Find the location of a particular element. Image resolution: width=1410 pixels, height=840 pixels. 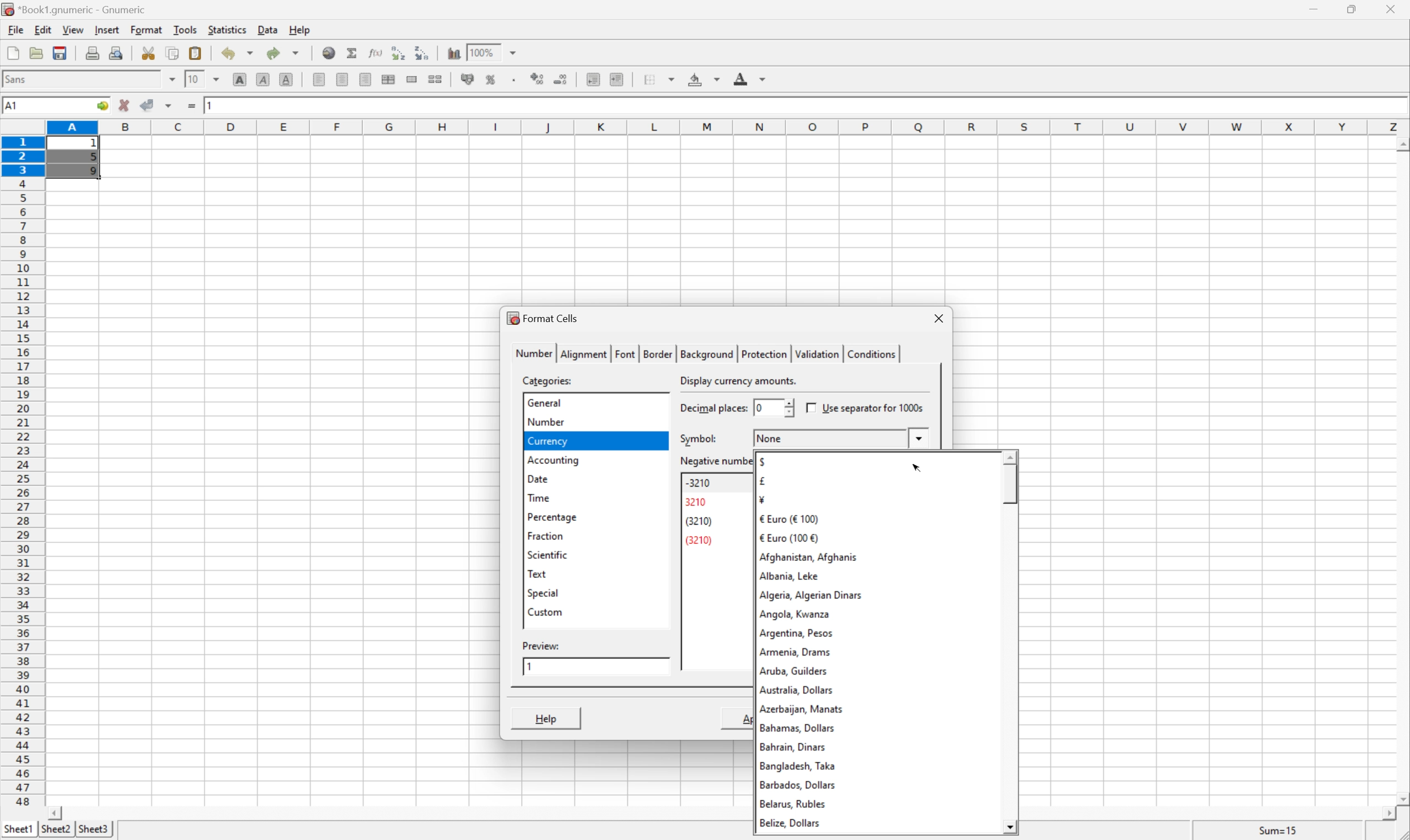

help is located at coordinates (546, 718).